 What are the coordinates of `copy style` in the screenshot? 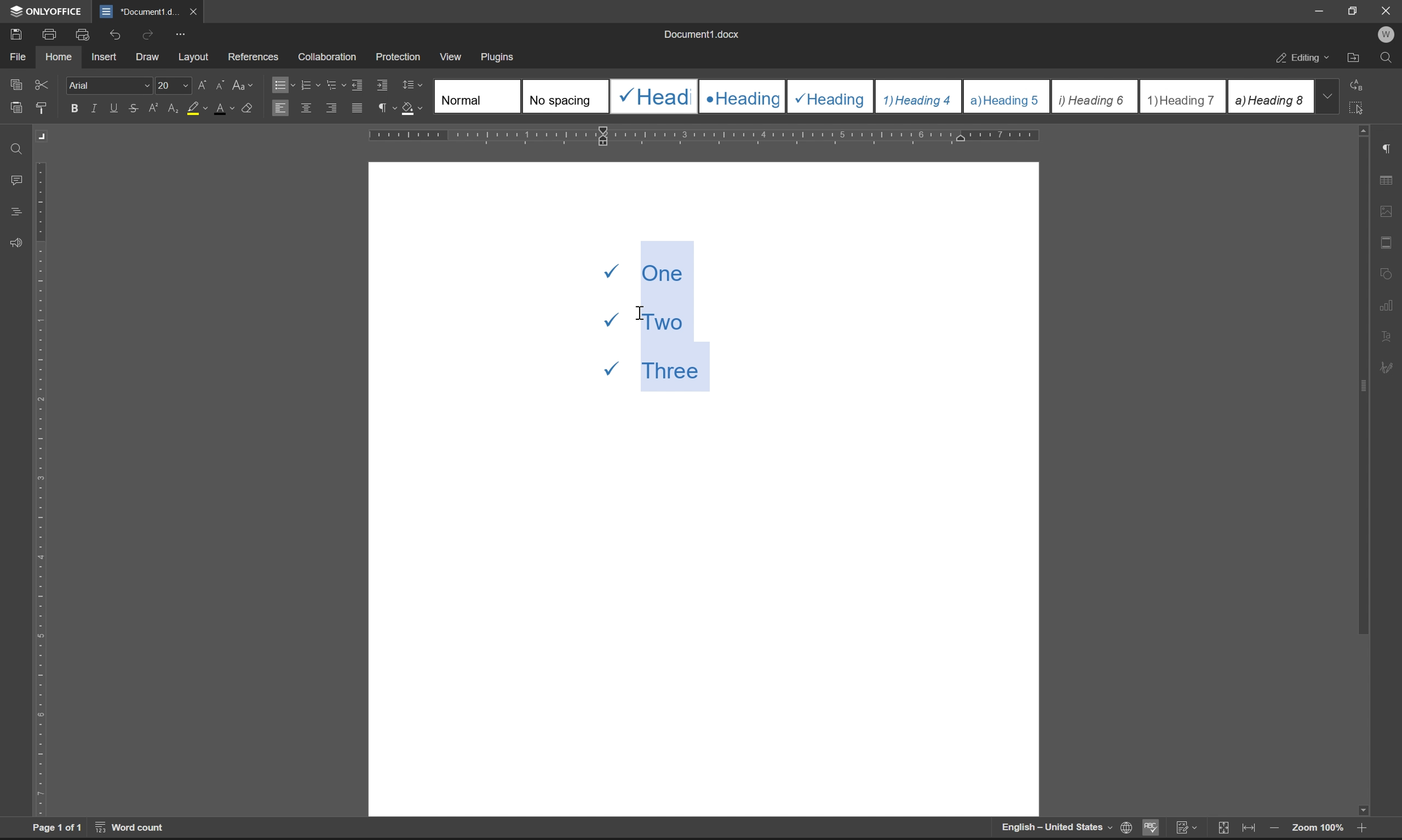 It's located at (41, 109).